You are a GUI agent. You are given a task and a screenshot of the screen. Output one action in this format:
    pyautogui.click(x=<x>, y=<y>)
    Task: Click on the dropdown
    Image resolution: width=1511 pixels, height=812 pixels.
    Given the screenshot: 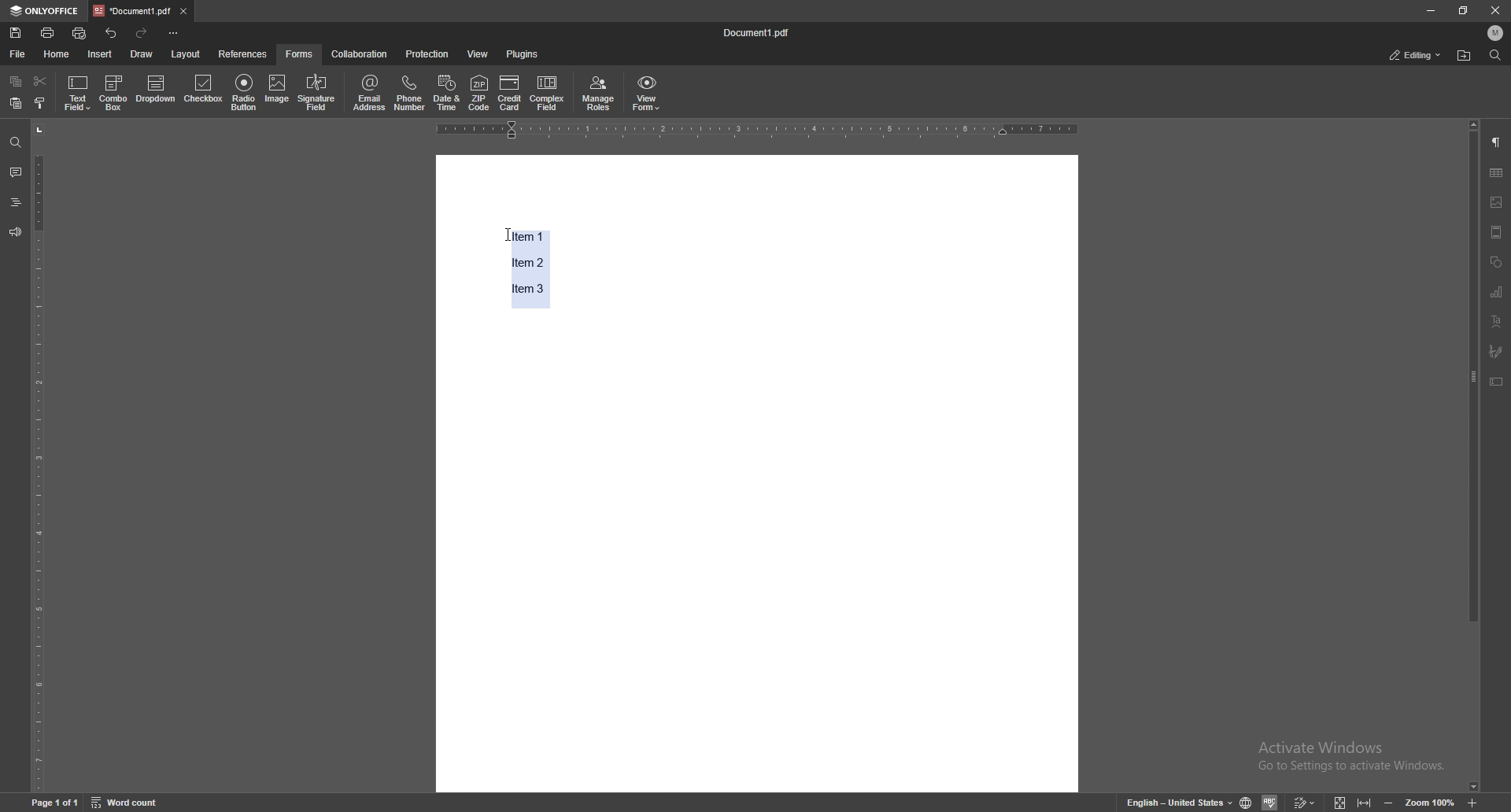 What is the action you would take?
    pyautogui.click(x=156, y=90)
    